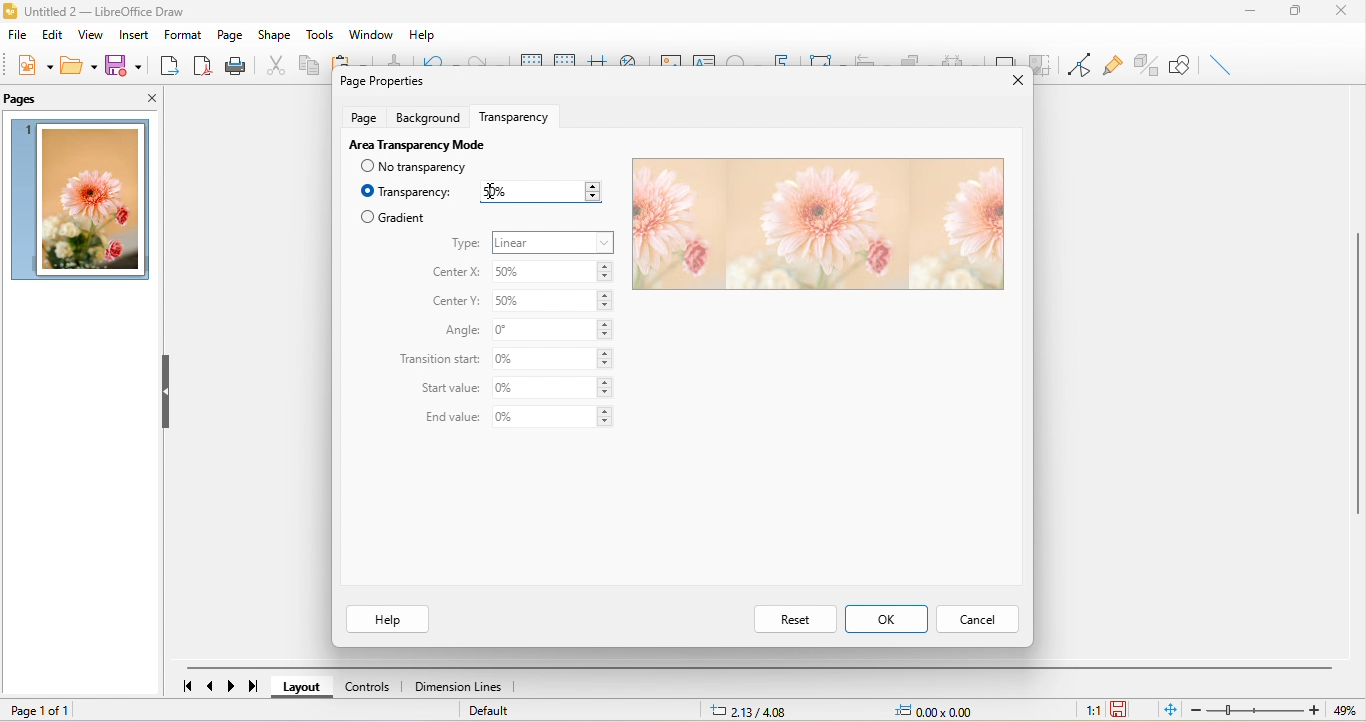  What do you see at coordinates (976, 621) in the screenshot?
I see `cancel` at bounding box center [976, 621].